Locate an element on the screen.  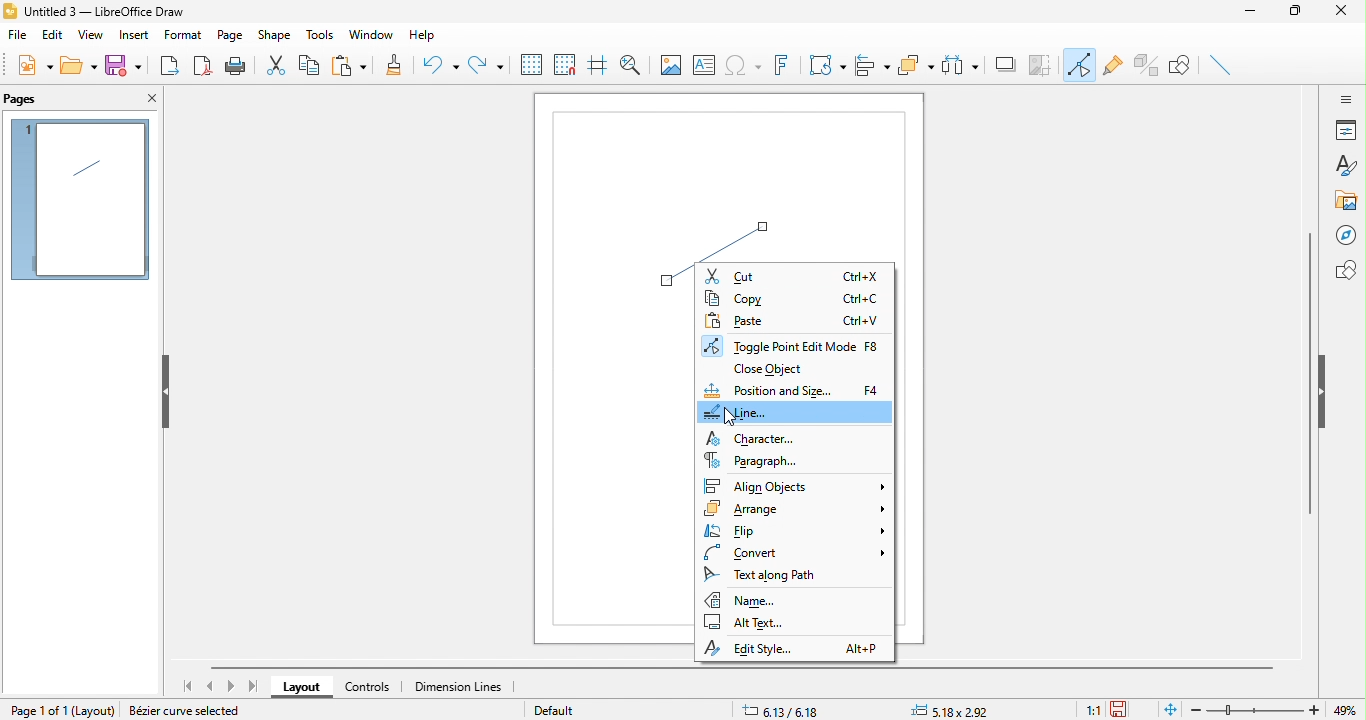
tools is located at coordinates (315, 34).